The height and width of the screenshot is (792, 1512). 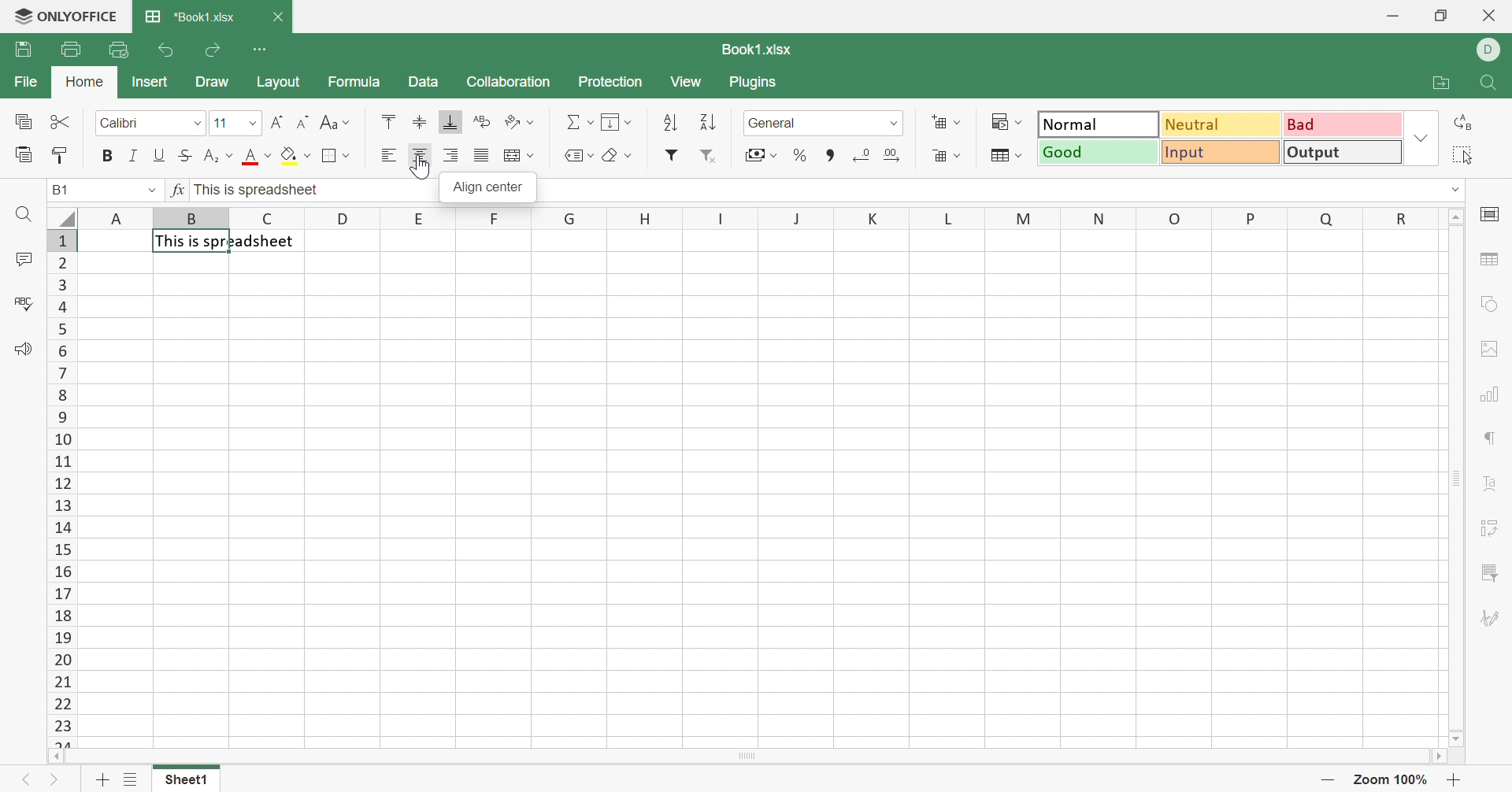 I want to click on Select all, so click(x=1460, y=157).